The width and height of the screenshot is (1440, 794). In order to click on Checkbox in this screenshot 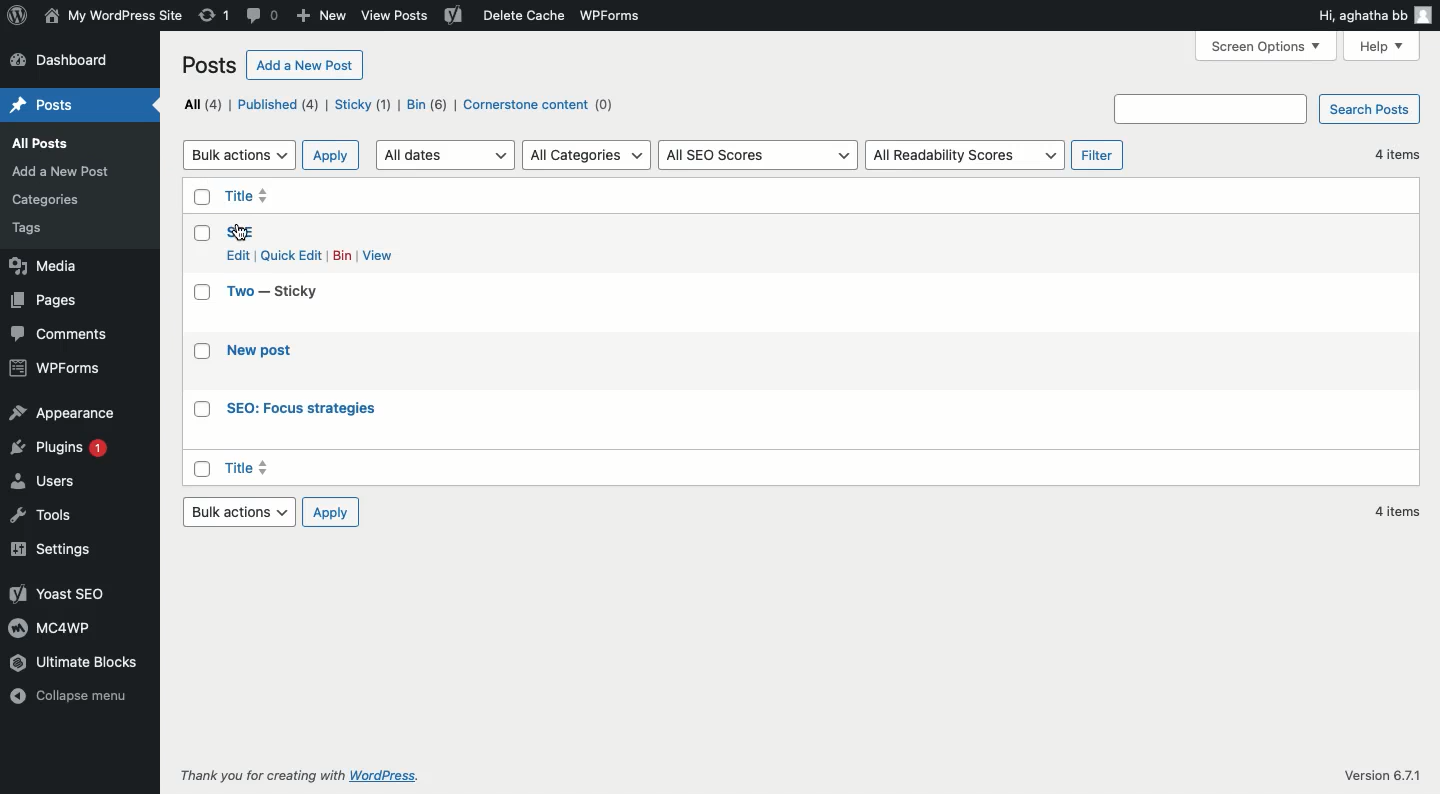, I will do `click(200, 335)`.